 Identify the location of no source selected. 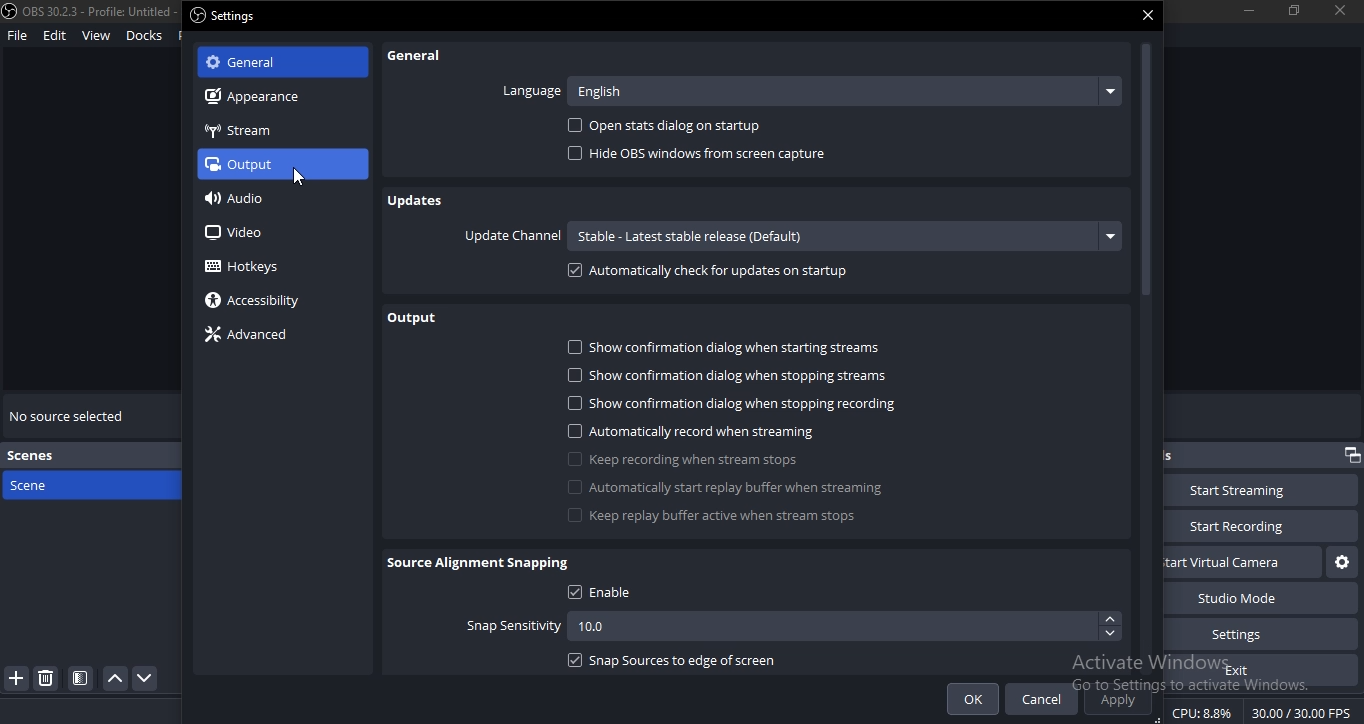
(71, 413).